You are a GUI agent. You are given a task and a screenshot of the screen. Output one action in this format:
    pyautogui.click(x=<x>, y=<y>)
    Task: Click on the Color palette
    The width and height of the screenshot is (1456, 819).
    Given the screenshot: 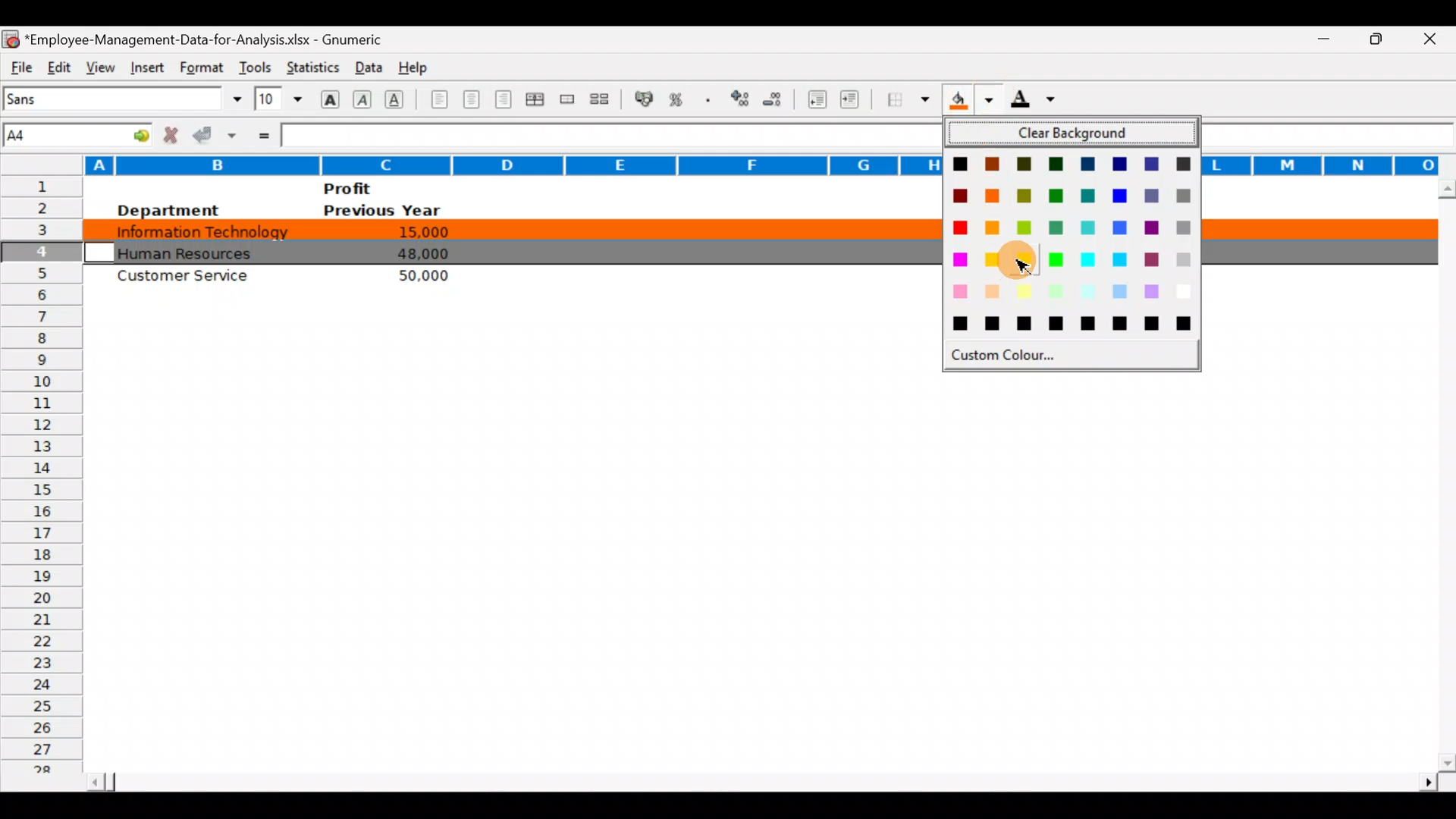 What is the action you would take?
    pyautogui.click(x=1069, y=246)
    